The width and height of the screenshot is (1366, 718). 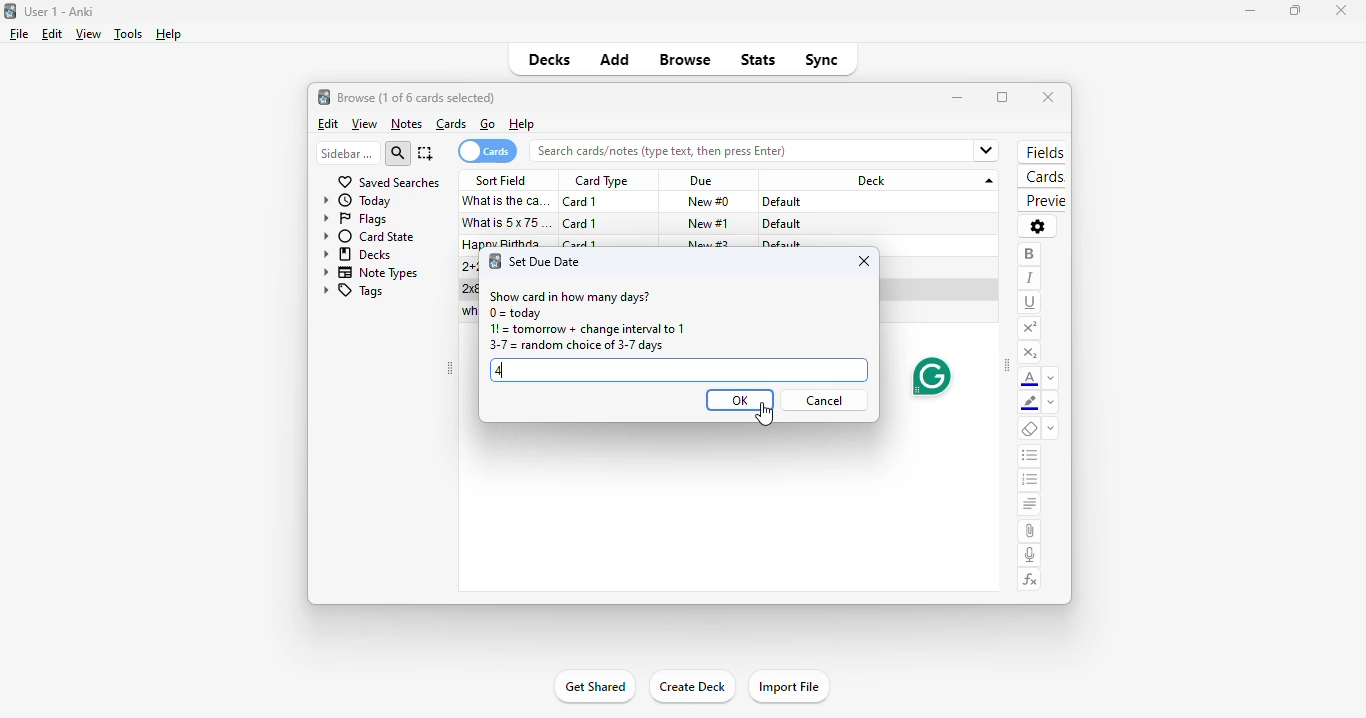 What do you see at coordinates (581, 202) in the screenshot?
I see `card 1` at bounding box center [581, 202].